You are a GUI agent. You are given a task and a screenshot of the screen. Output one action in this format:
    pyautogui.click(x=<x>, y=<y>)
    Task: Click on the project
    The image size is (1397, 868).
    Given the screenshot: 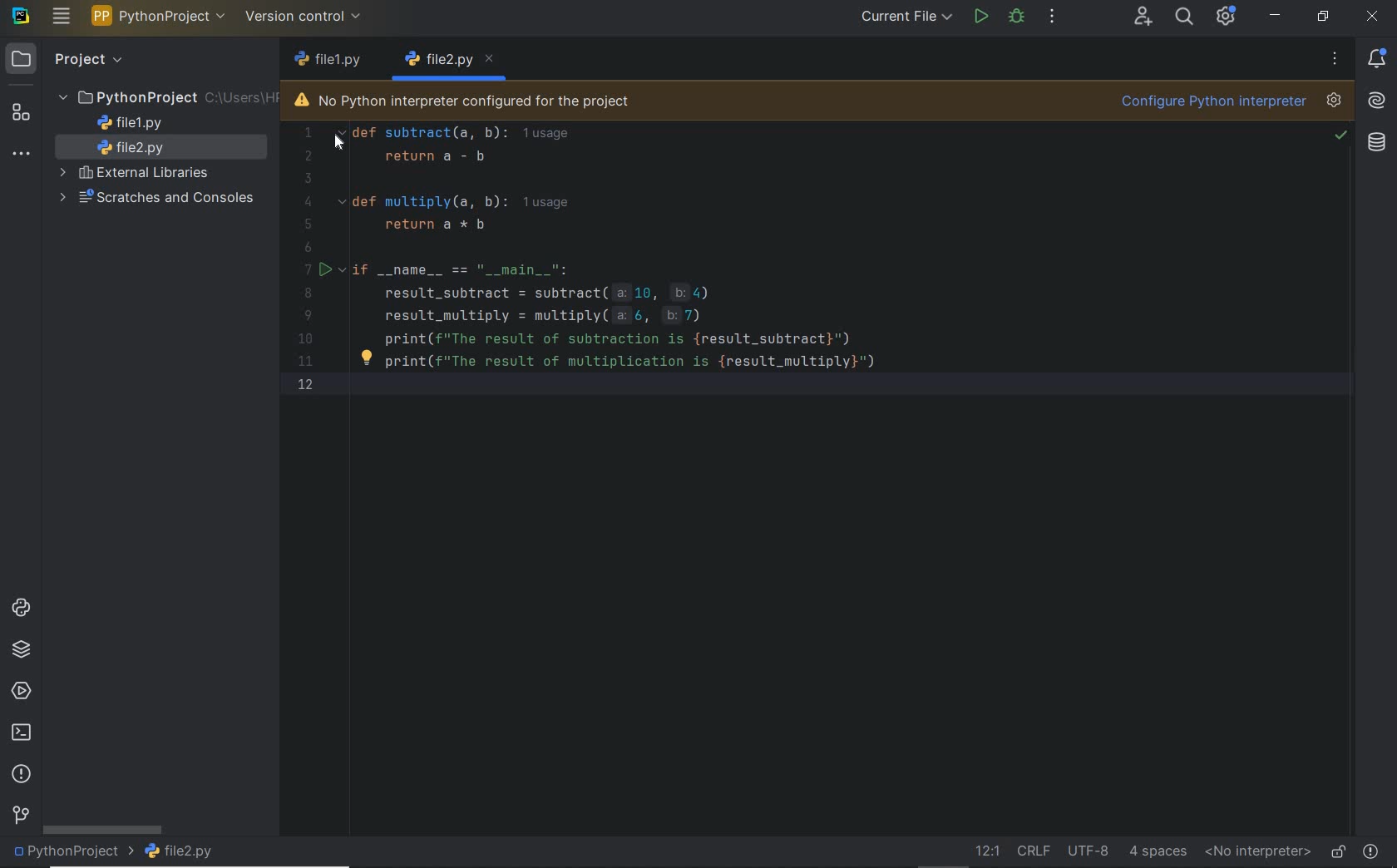 What is the action you would take?
    pyautogui.click(x=67, y=60)
    